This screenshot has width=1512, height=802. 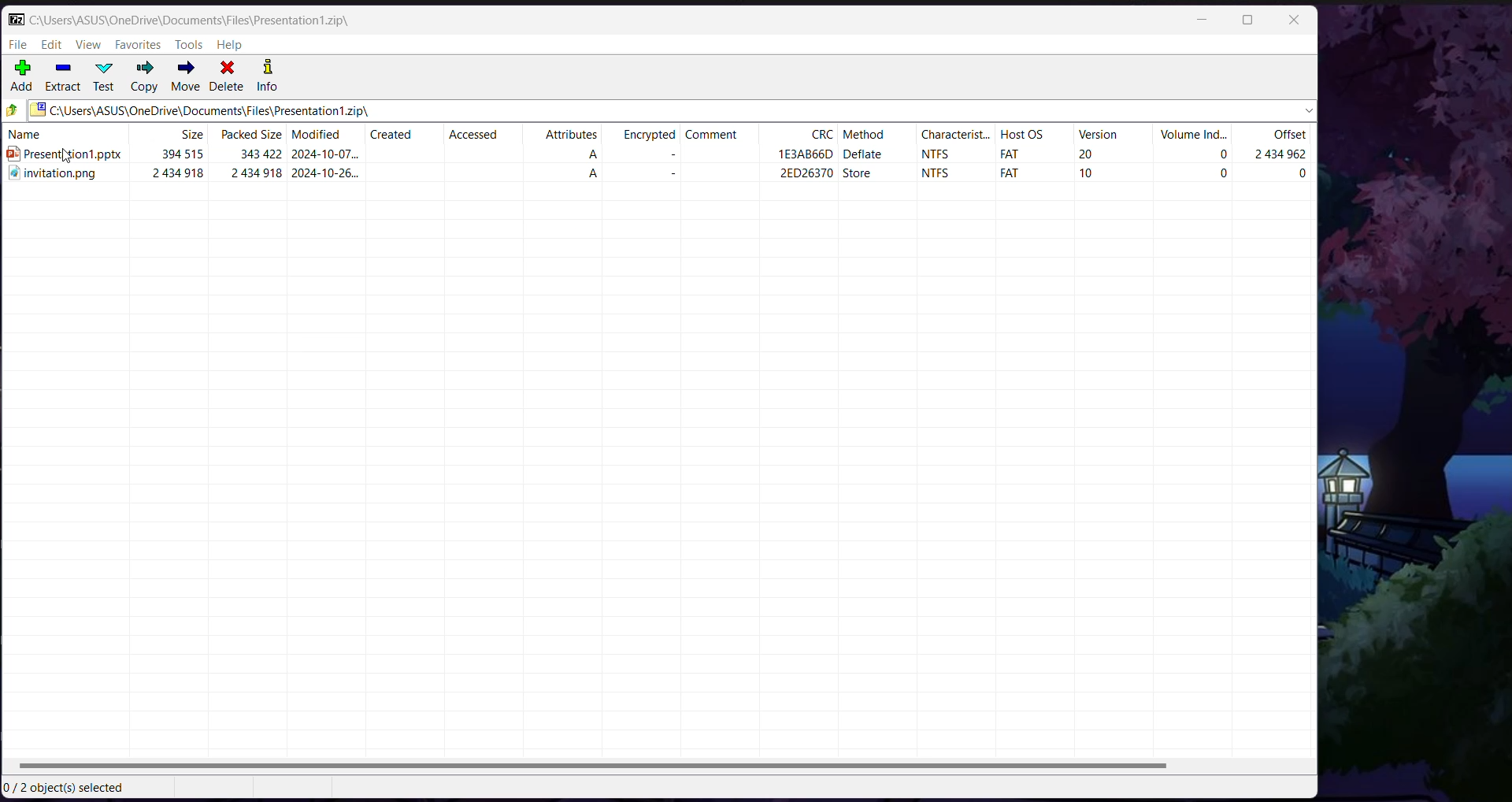 I want to click on Add, so click(x=22, y=76).